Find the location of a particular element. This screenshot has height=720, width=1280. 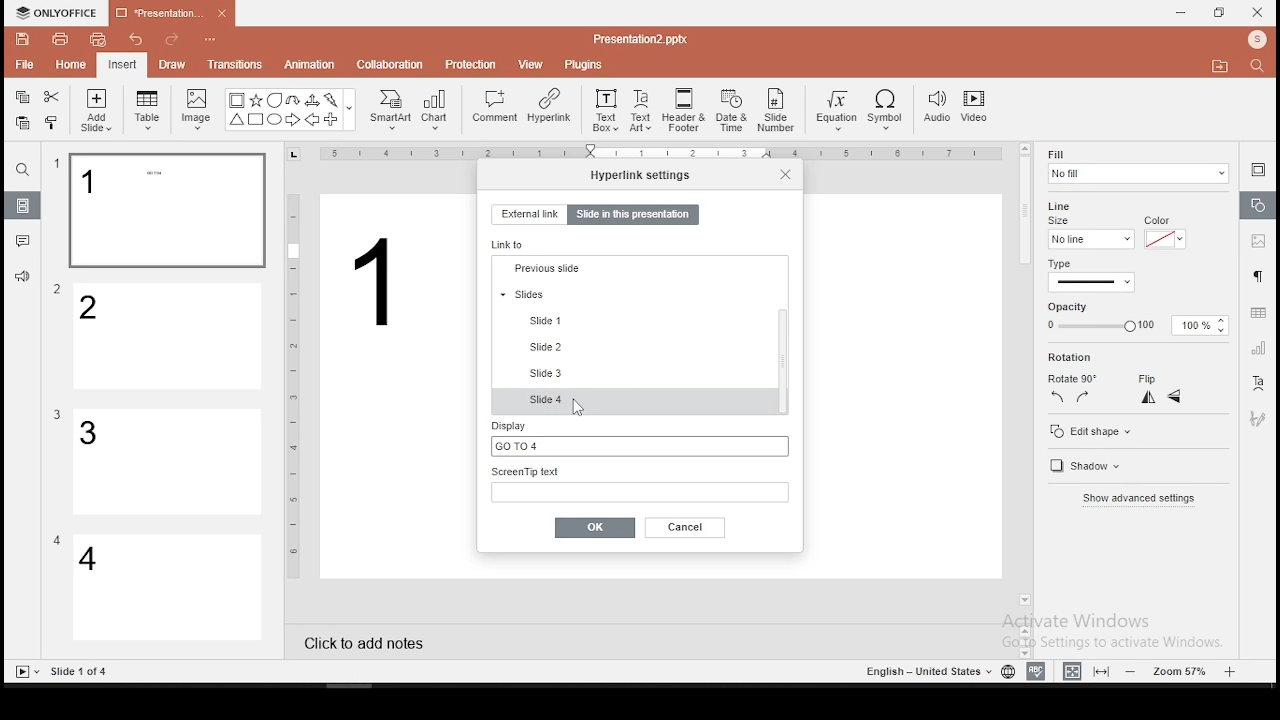

slide 2 is located at coordinates (169, 337).